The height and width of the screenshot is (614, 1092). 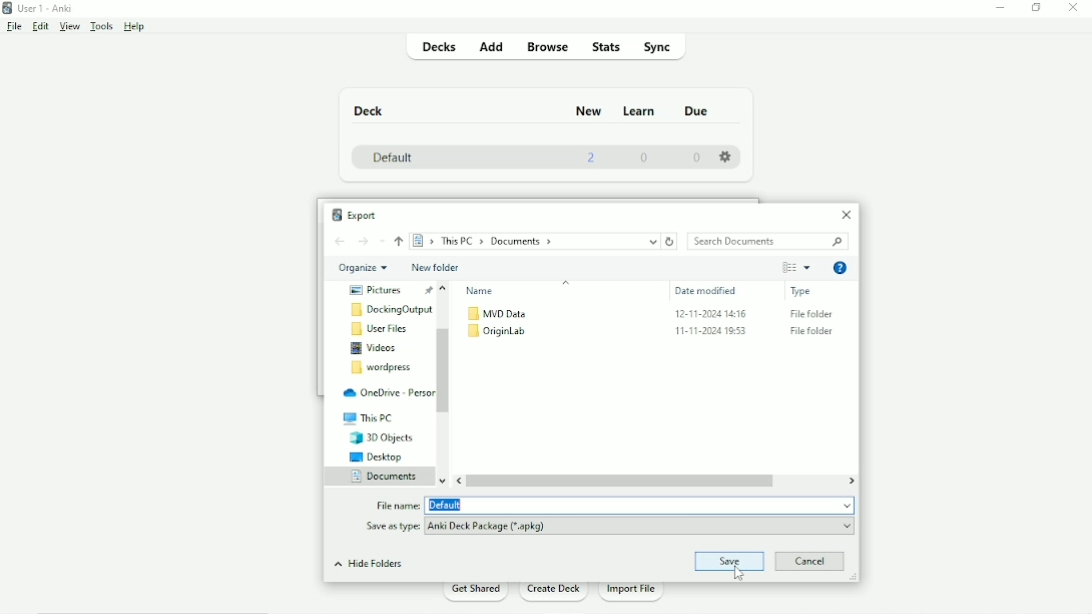 What do you see at coordinates (362, 242) in the screenshot?
I see `Forward` at bounding box center [362, 242].